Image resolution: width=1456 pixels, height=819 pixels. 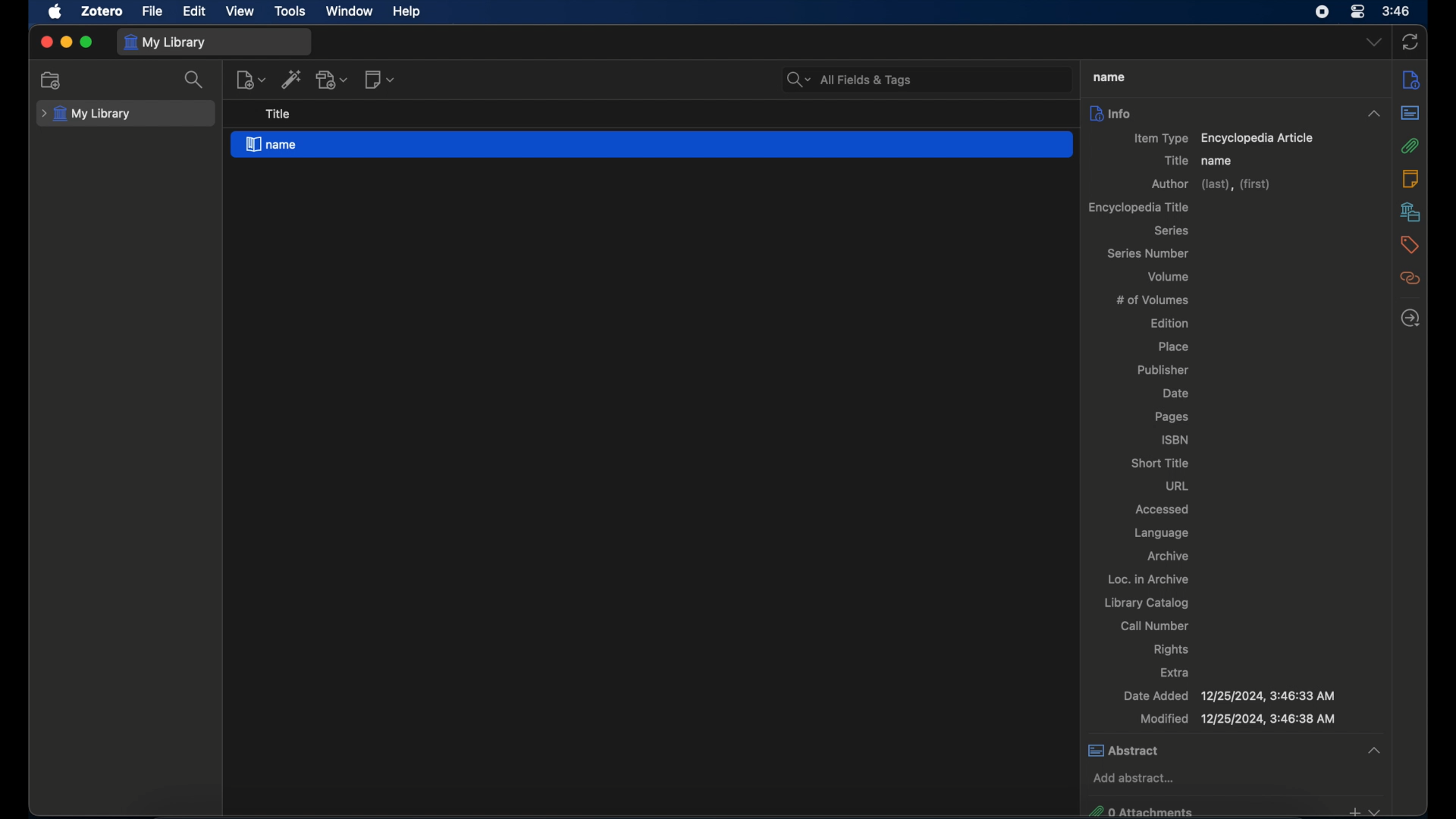 I want to click on info, so click(x=1111, y=113).